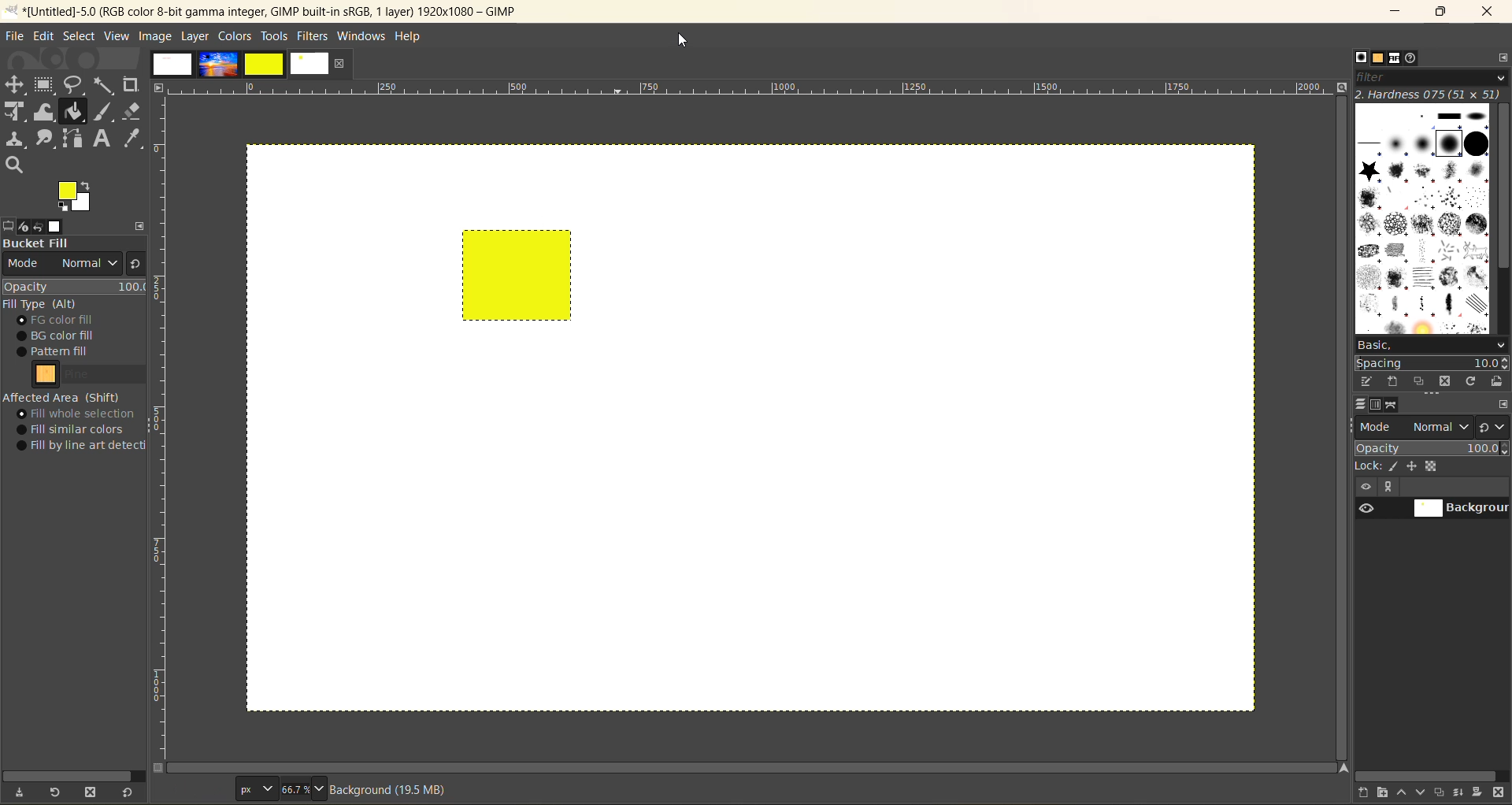  What do you see at coordinates (1396, 58) in the screenshot?
I see `fonts` at bounding box center [1396, 58].